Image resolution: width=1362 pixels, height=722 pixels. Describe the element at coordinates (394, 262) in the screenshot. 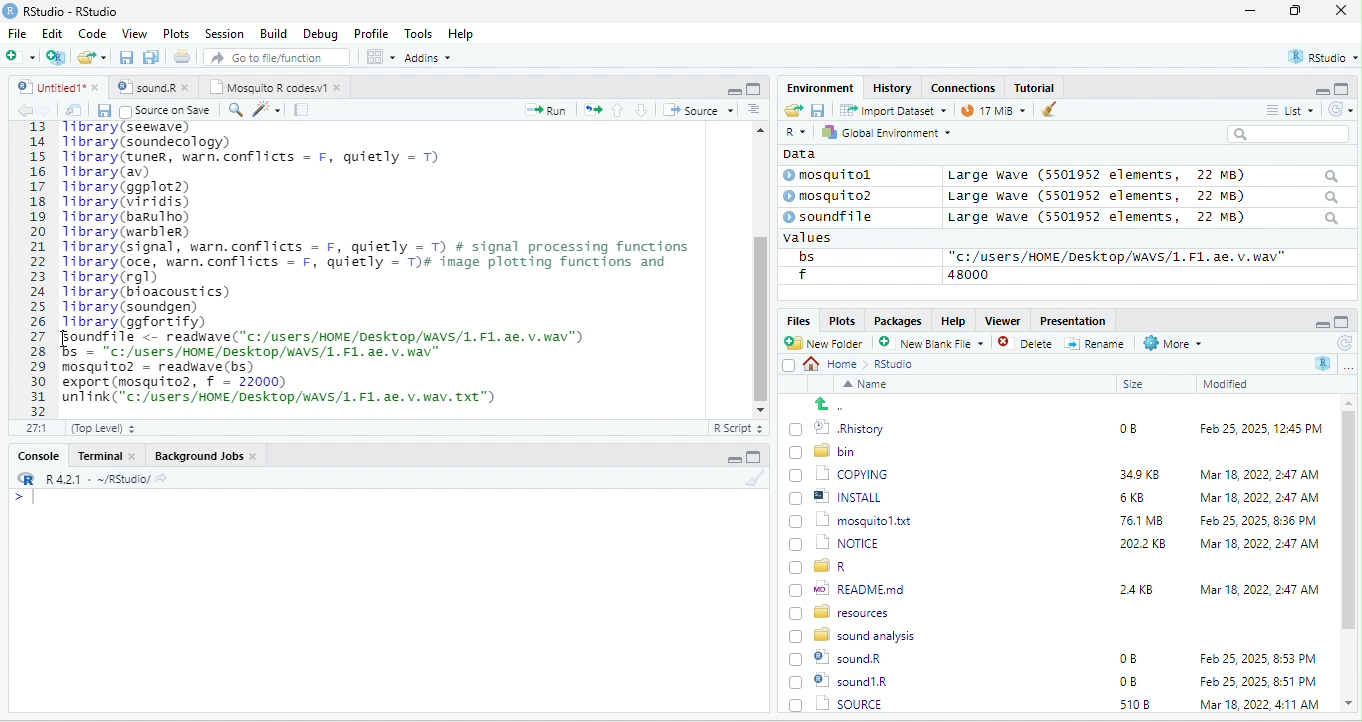

I see `fipt 2 (0) ©] Rhistory 0B Feb 25, 2025, 12:45 PM
oO bin
0) 1) copying 349K8 Mar 18,2022, 247 AM
(J ®] INSTALL 6KB Mar 18, 2022, 247 AM
(0 1) mosauitoxt T6IMB Feb 25,2025 8:36 PM
0 [3 norce 2002K8 Mar 18, 2022, 247 AM
0 @r
(7) %) READMEmd 248 Mar 18, 2022, 247 AM
(0) resources
[5 sound analysis
(0) ©) soundiR LO Feb 25, 2025, 851 PM
0 1 source s108 Mar 18, 2022, 41 AM
(71 Uninstallexe 1302KB  Apr26,2022 1.00PM ¥` at that location.